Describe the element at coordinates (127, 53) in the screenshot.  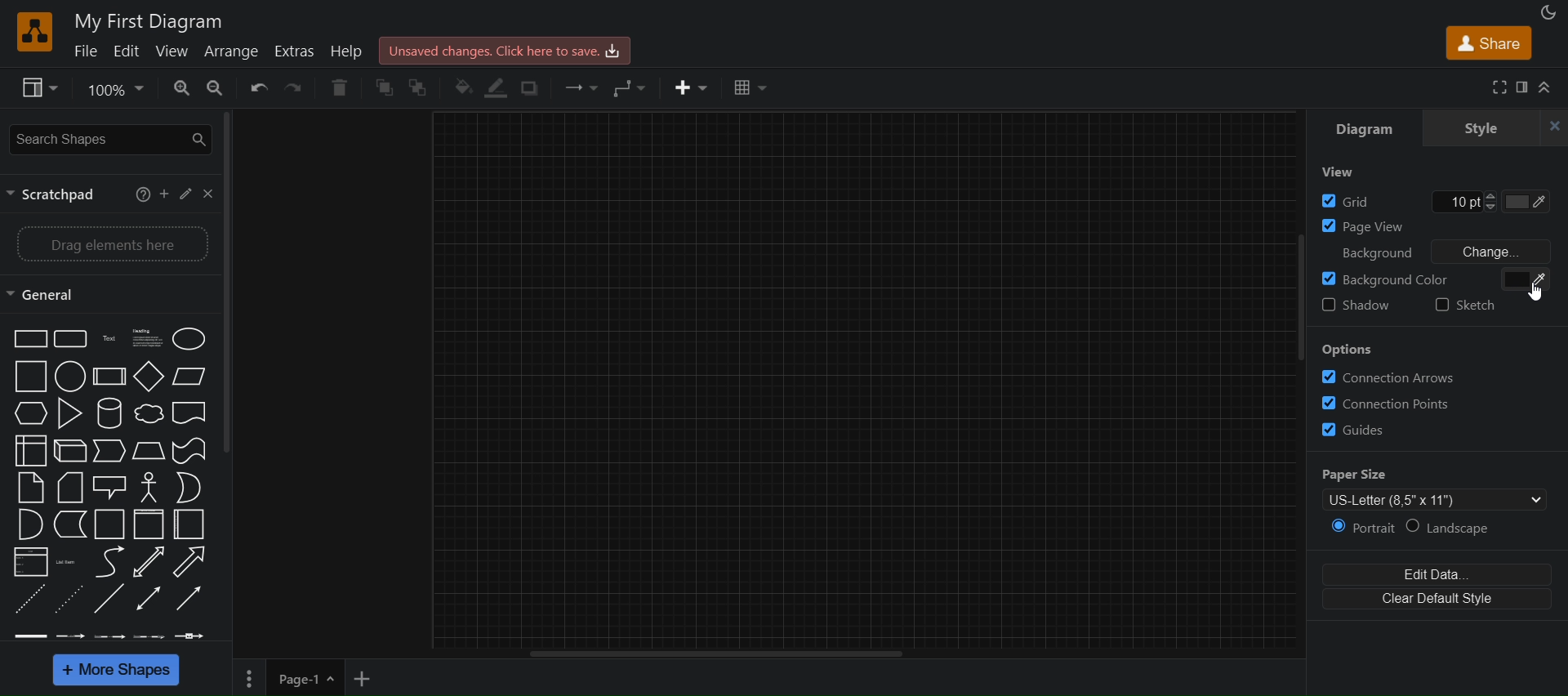
I see `edit` at that location.